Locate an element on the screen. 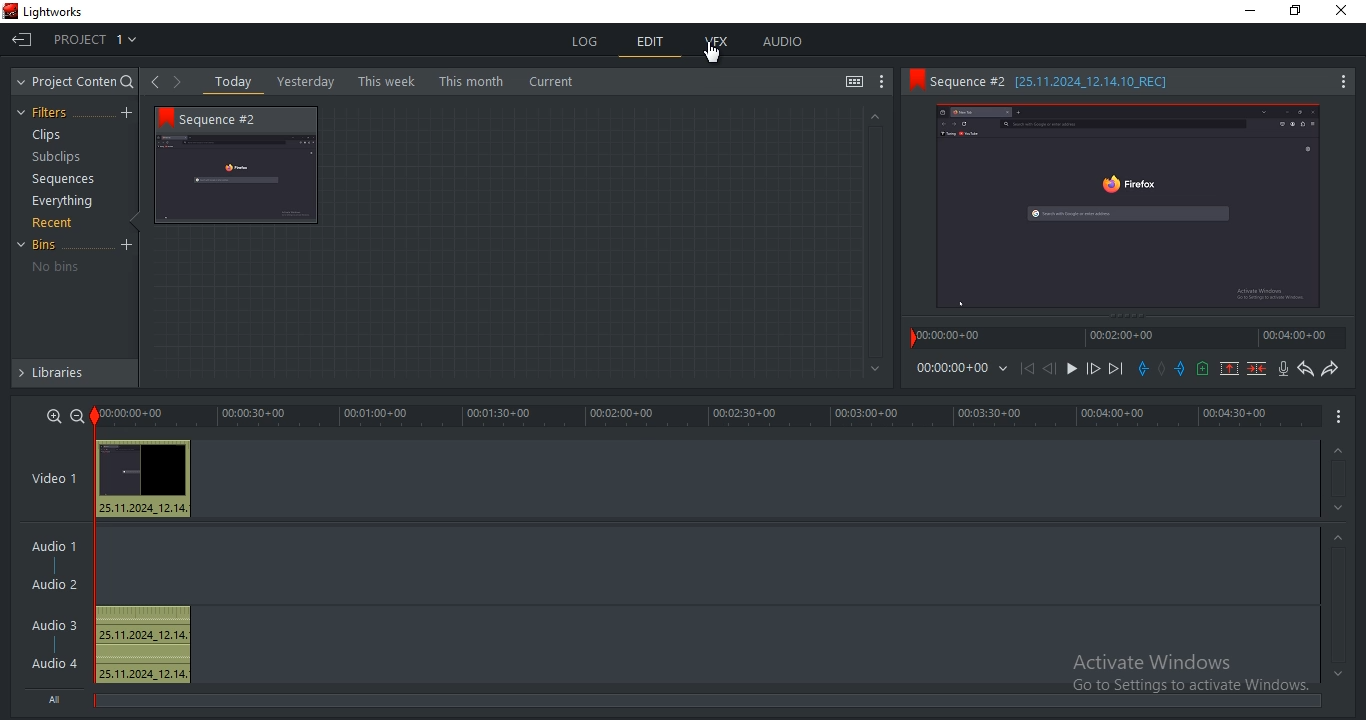 This screenshot has width=1366, height=720. navigate left is located at coordinates (152, 81).